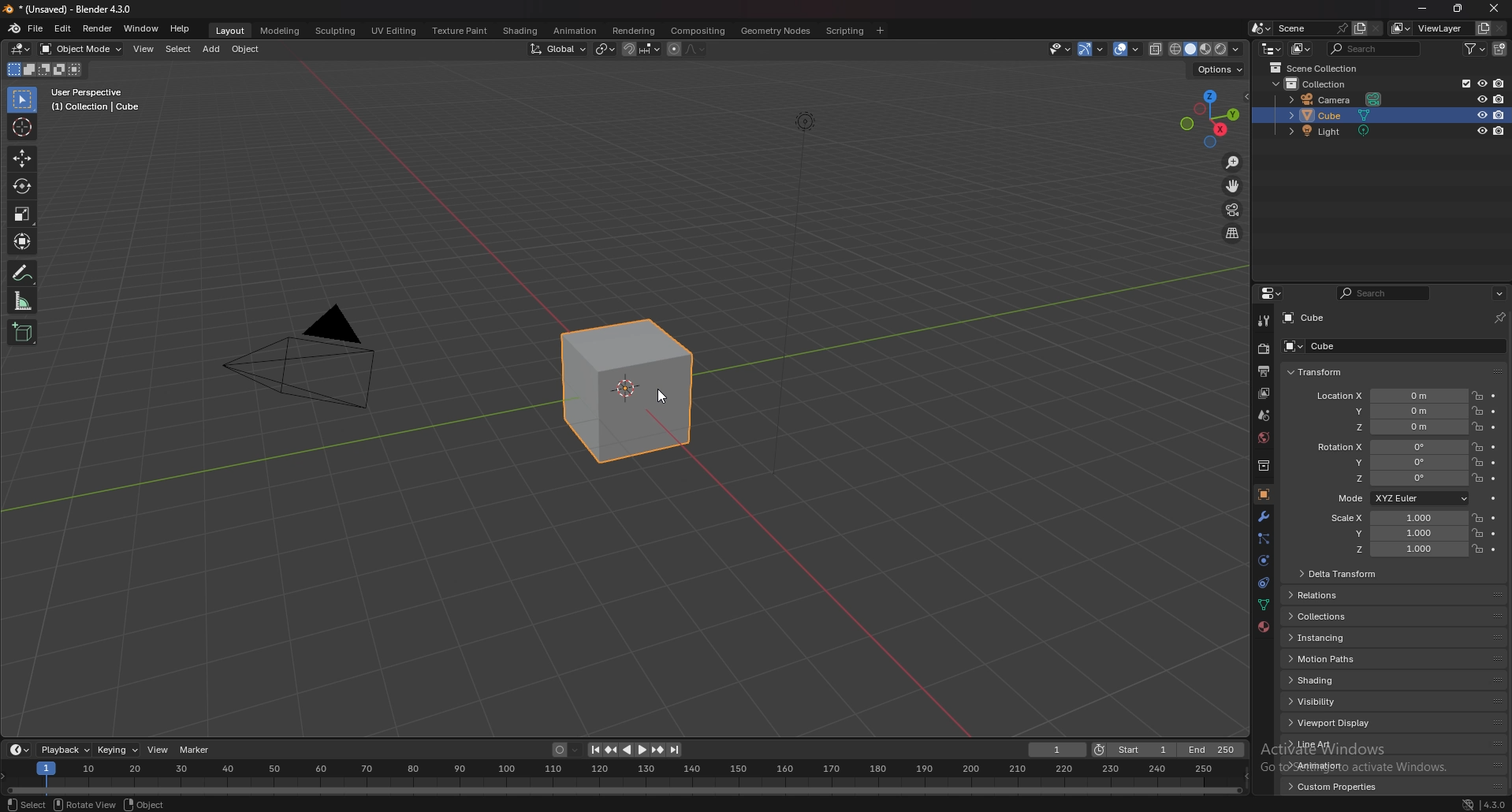 This screenshot has width=1512, height=812. What do you see at coordinates (611, 751) in the screenshot?
I see `jump to keyframe` at bounding box center [611, 751].